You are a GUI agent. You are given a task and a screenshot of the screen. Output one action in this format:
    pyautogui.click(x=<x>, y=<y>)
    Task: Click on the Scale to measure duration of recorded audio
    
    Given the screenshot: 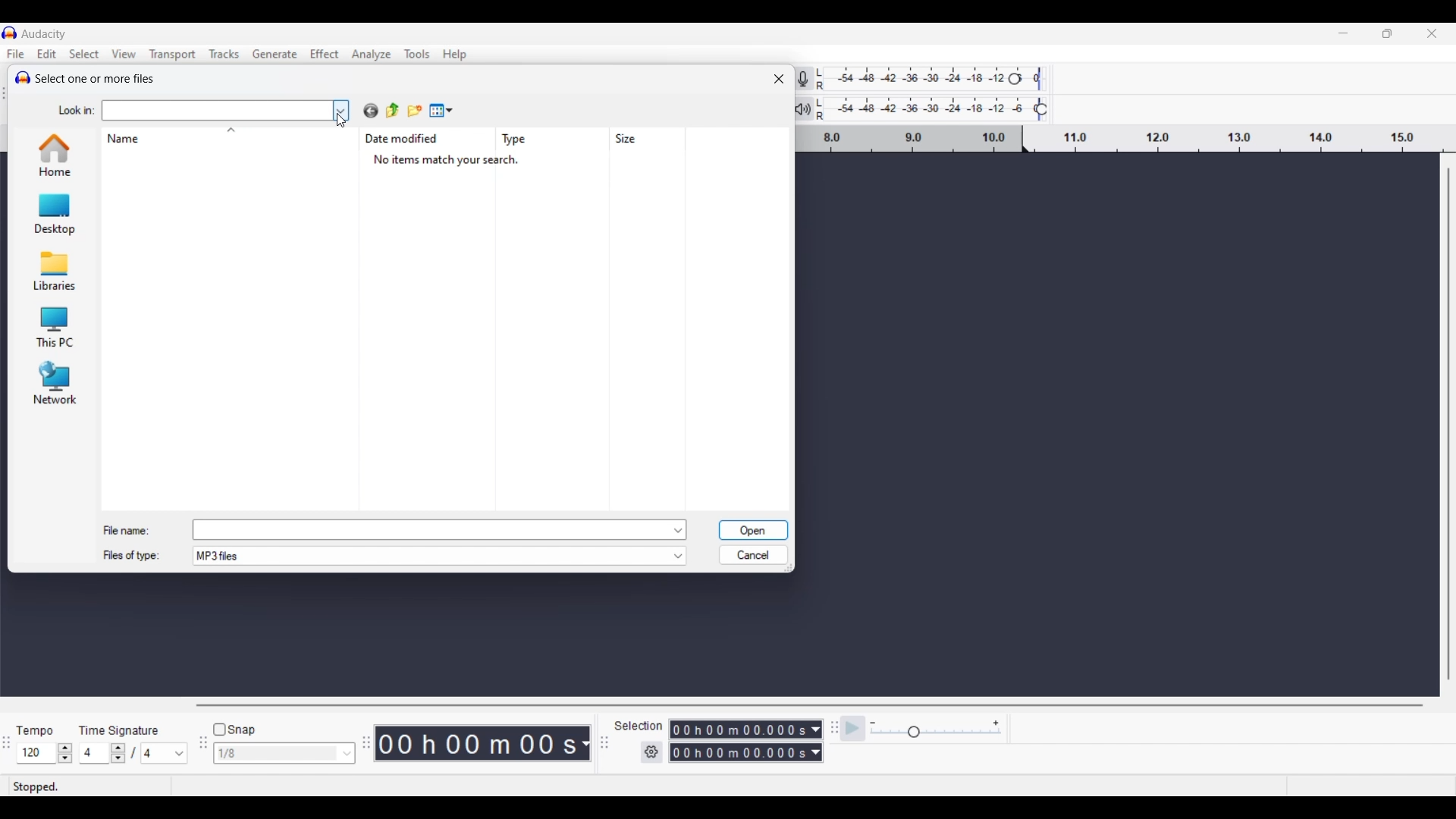 What is the action you would take?
    pyautogui.click(x=1129, y=140)
    